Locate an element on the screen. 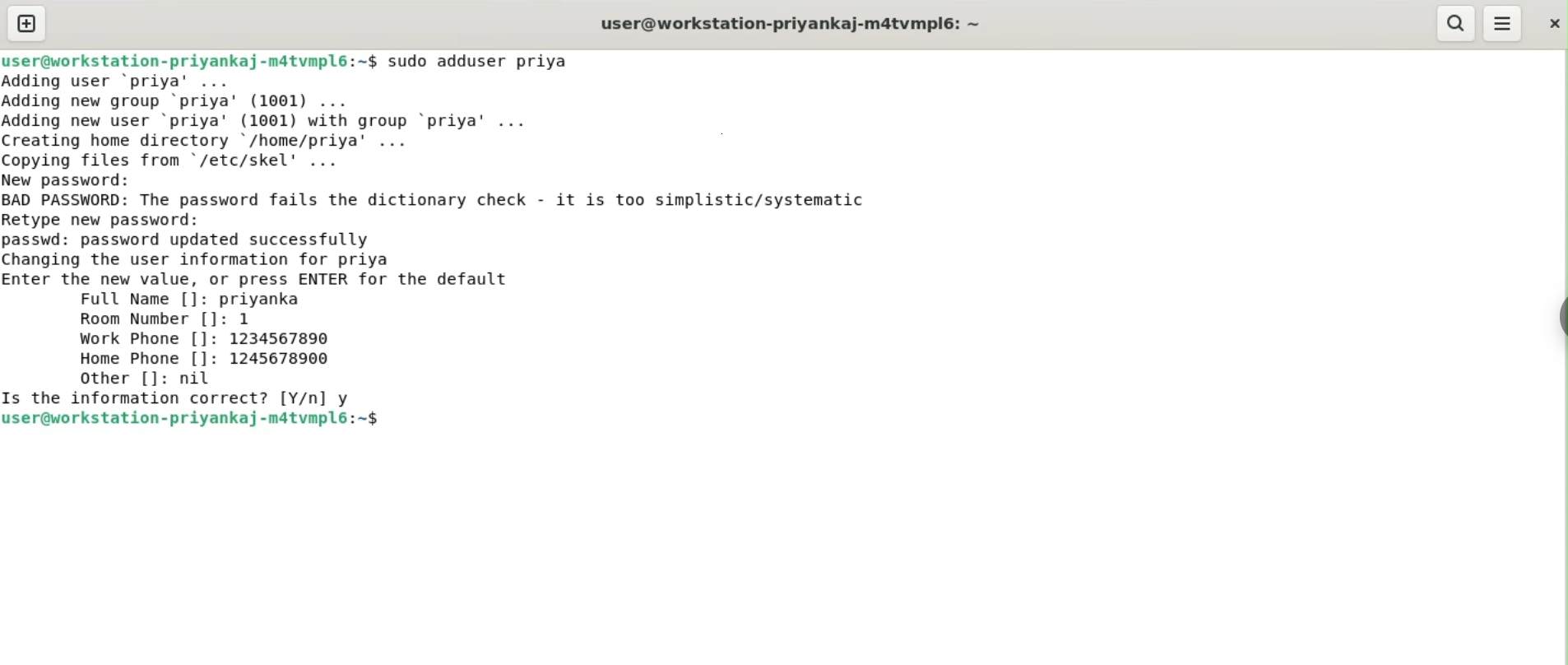 The height and width of the screenshot is (665, 1568). search is located at coordinates (1454, 23).